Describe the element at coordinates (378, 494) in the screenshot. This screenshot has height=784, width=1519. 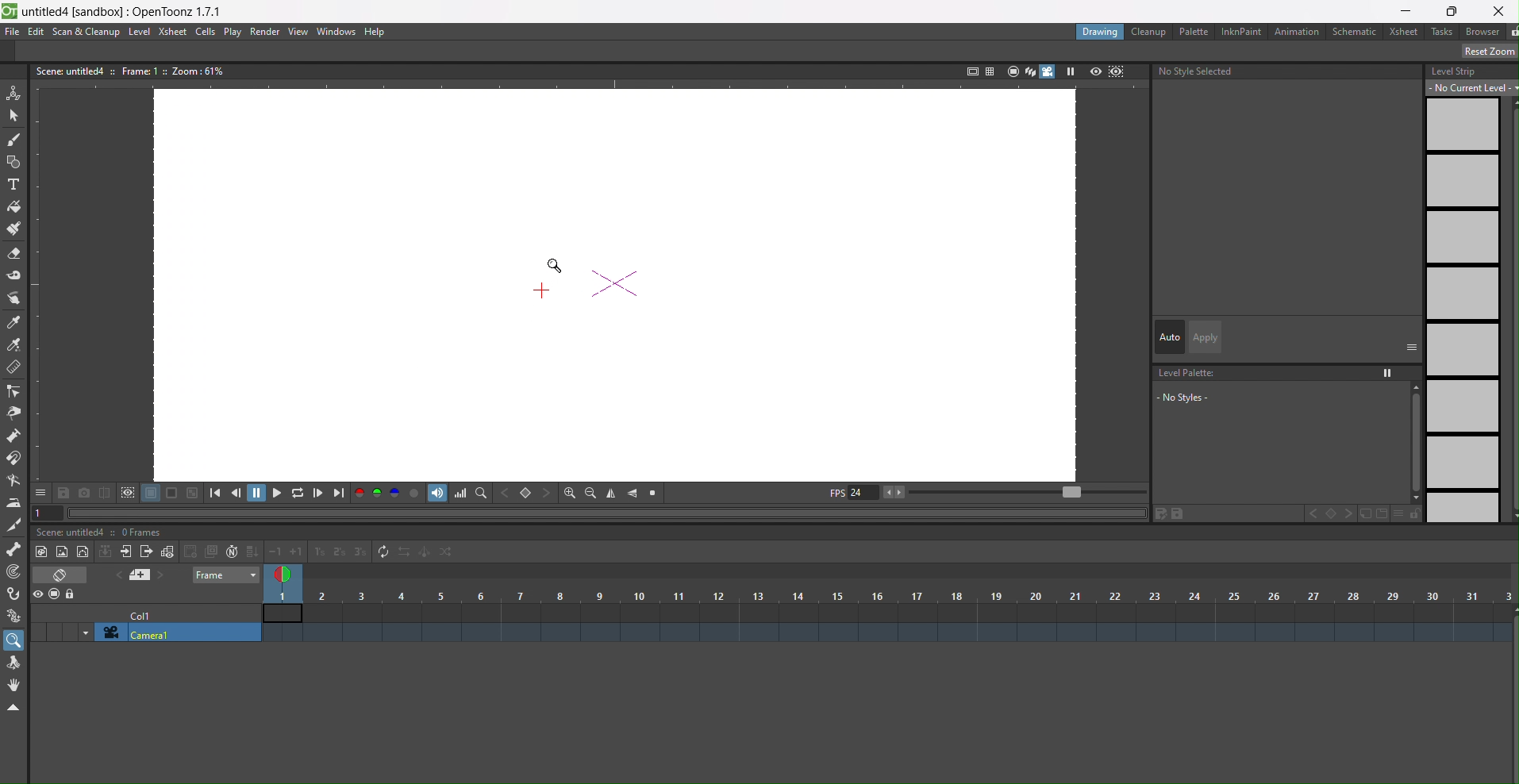
I see `green ` at that location.